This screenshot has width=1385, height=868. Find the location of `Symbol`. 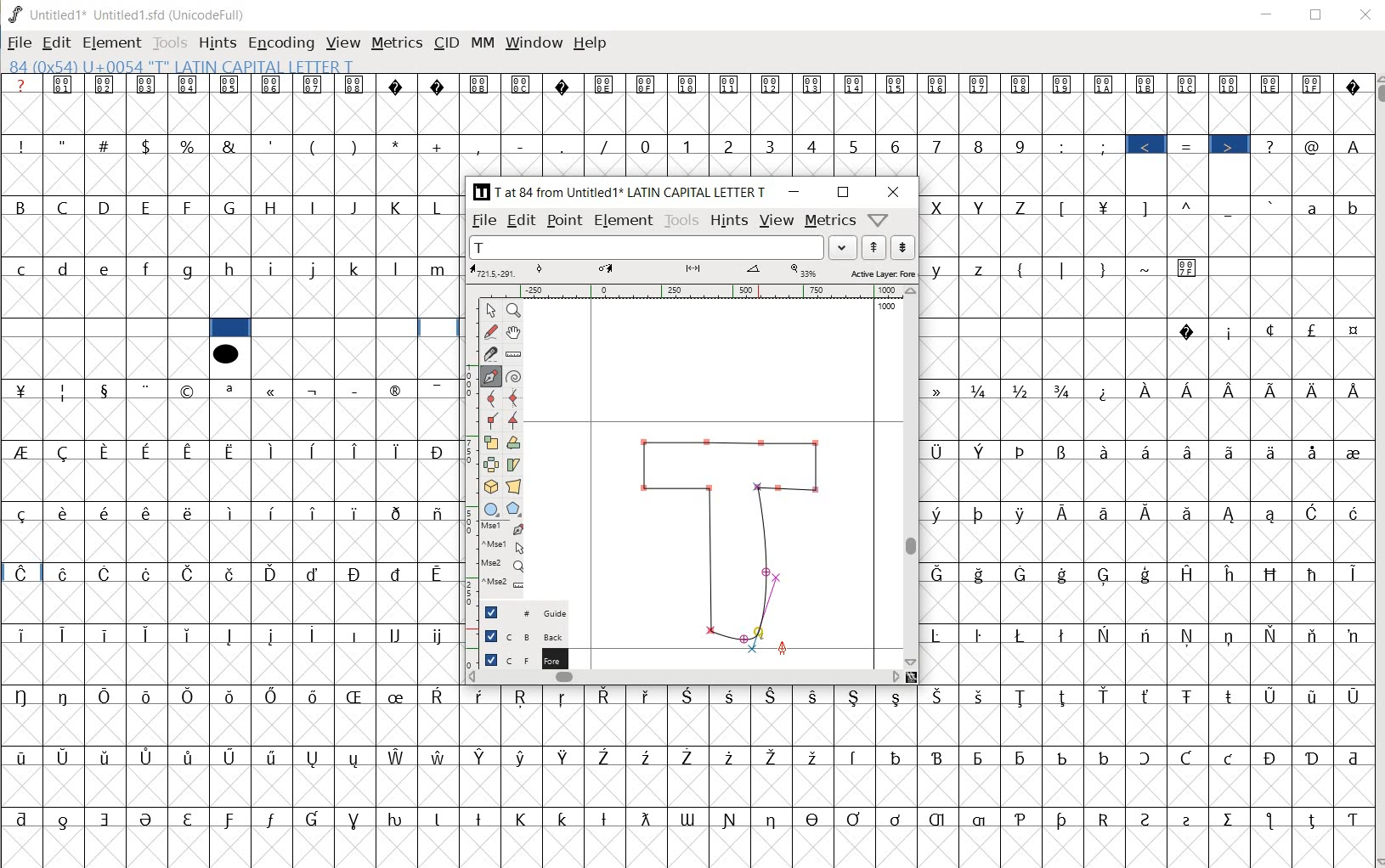

Symbol is located at coordinates (1020, 634).